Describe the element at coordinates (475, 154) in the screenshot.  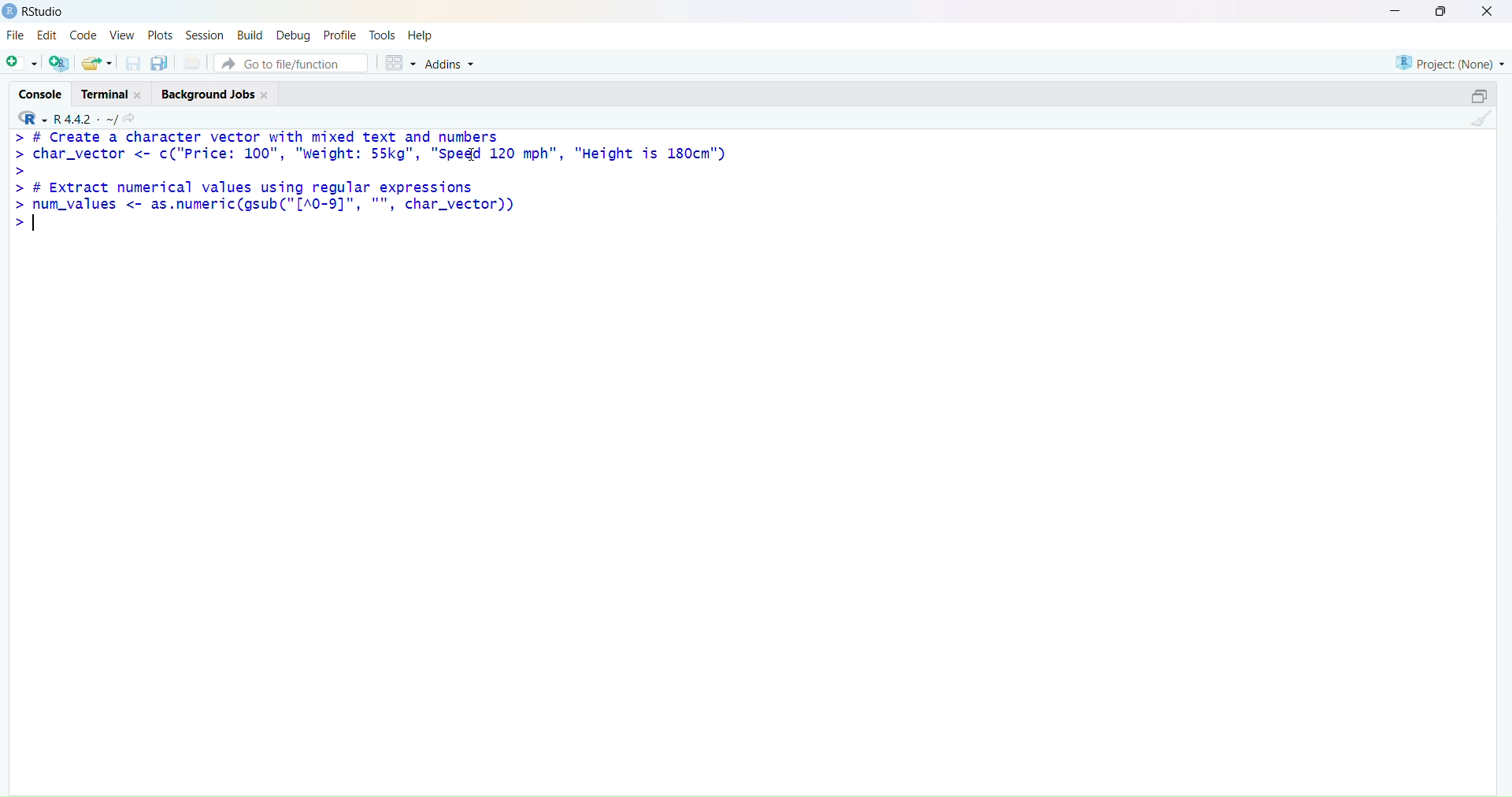
I see `cursor` at that location.